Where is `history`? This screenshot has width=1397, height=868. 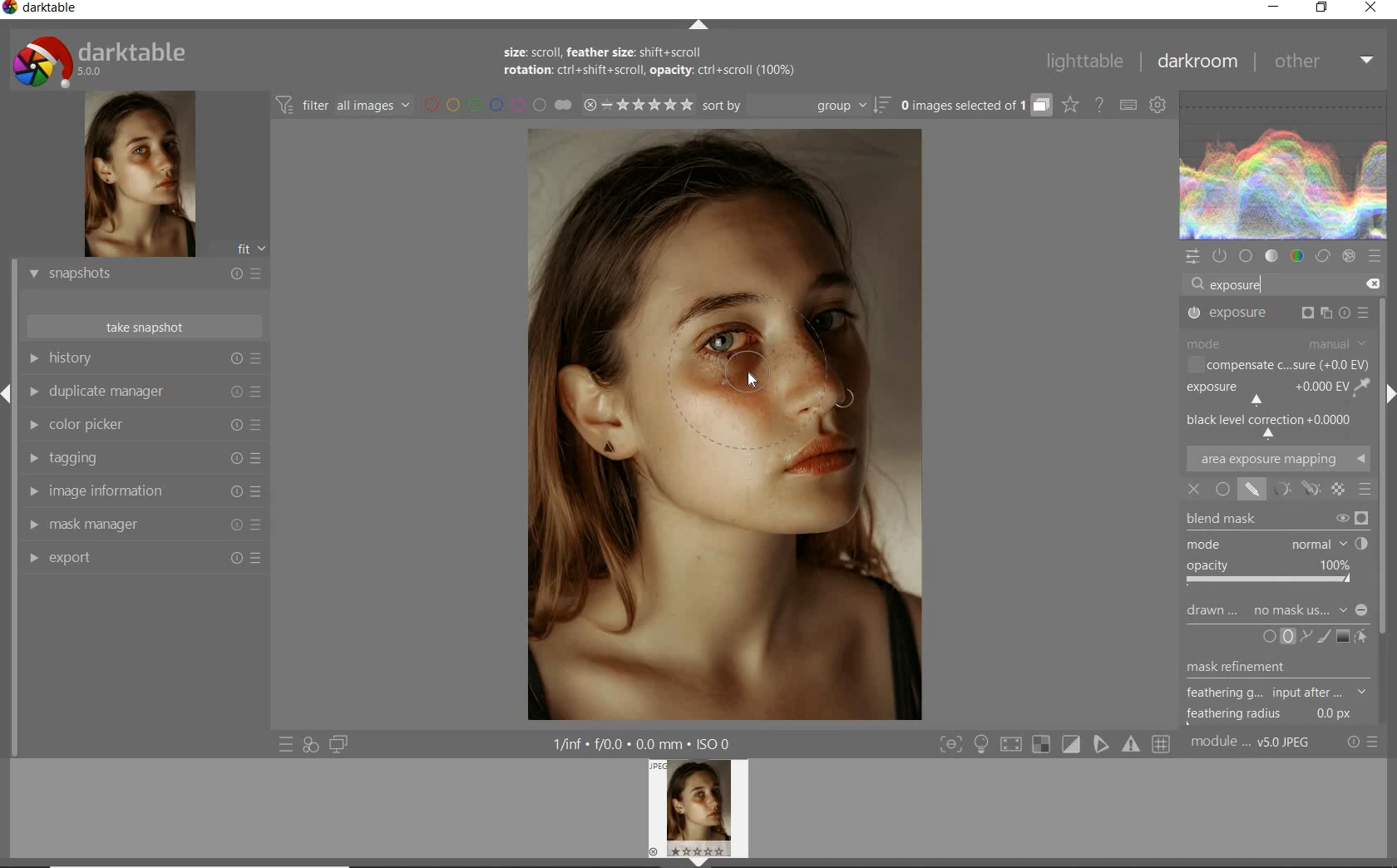 history is located at coordinates (142, 360).